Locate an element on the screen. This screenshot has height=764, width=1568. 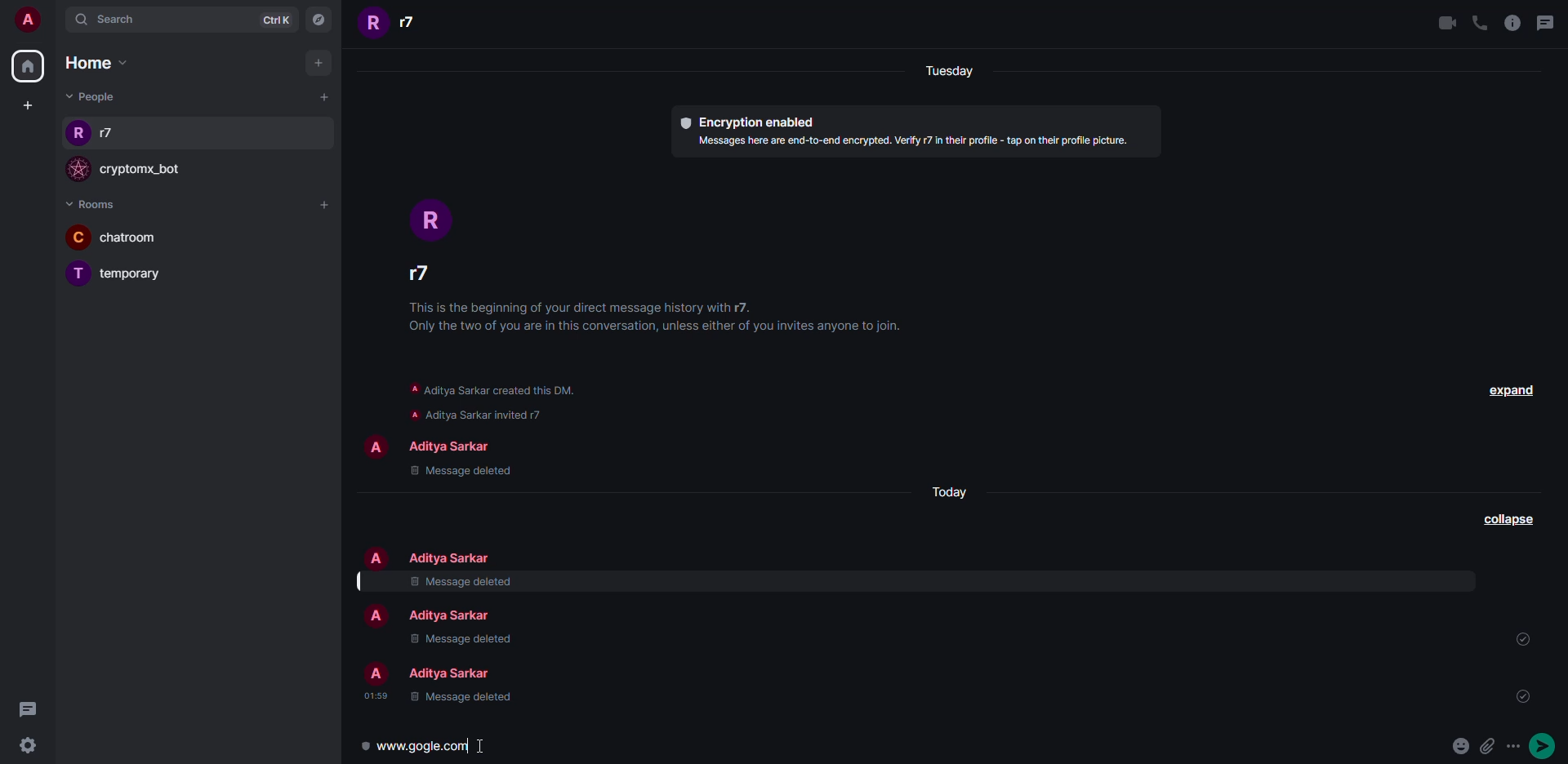
navigator is located at coordinates (322, 20).